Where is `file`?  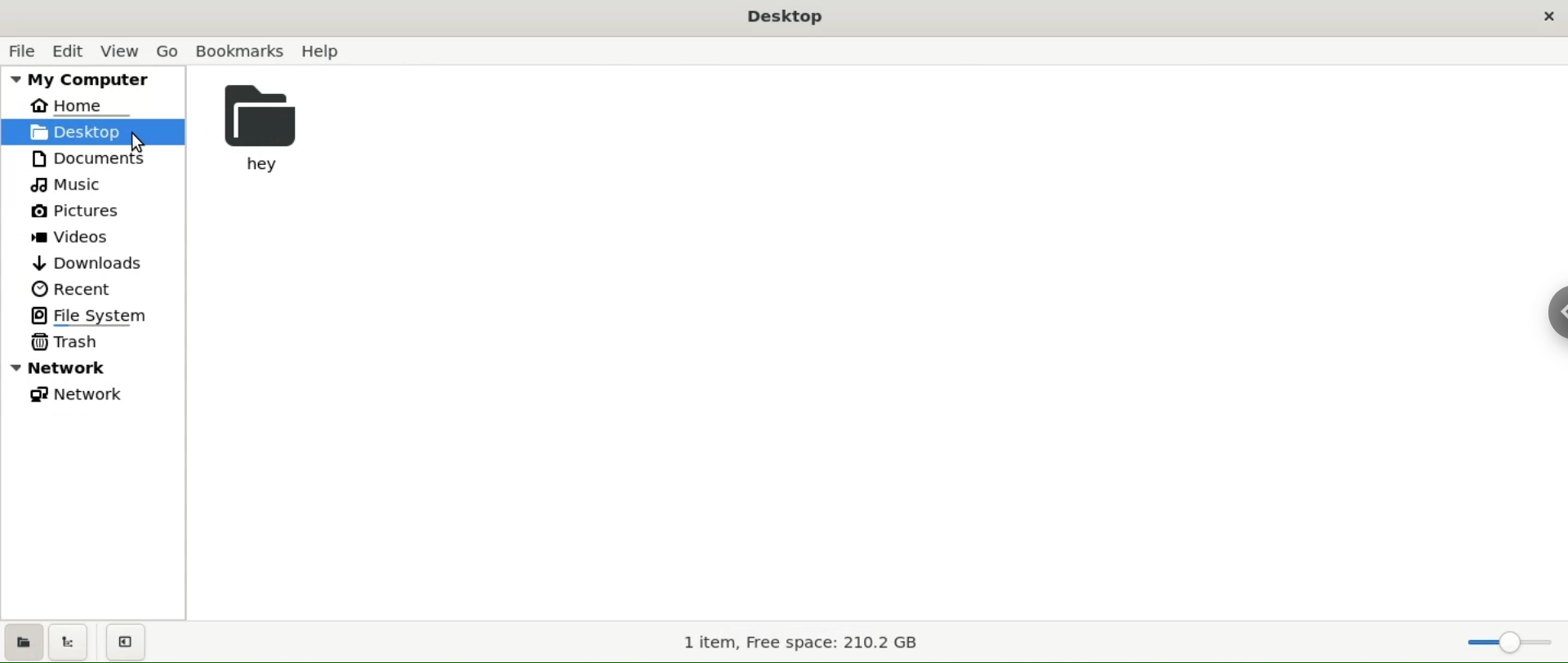 file is located at coordinates (20, 51).